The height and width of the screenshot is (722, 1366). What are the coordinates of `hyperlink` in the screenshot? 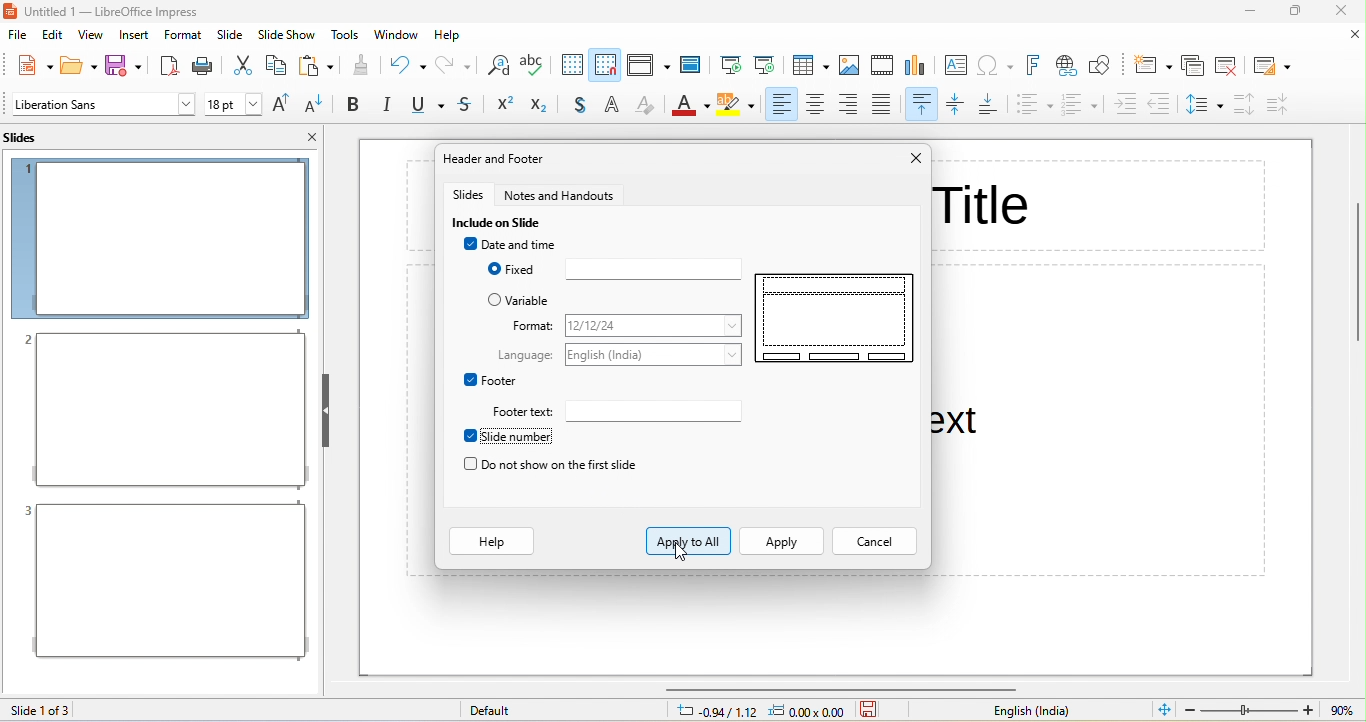 It's located at (1068, 68).